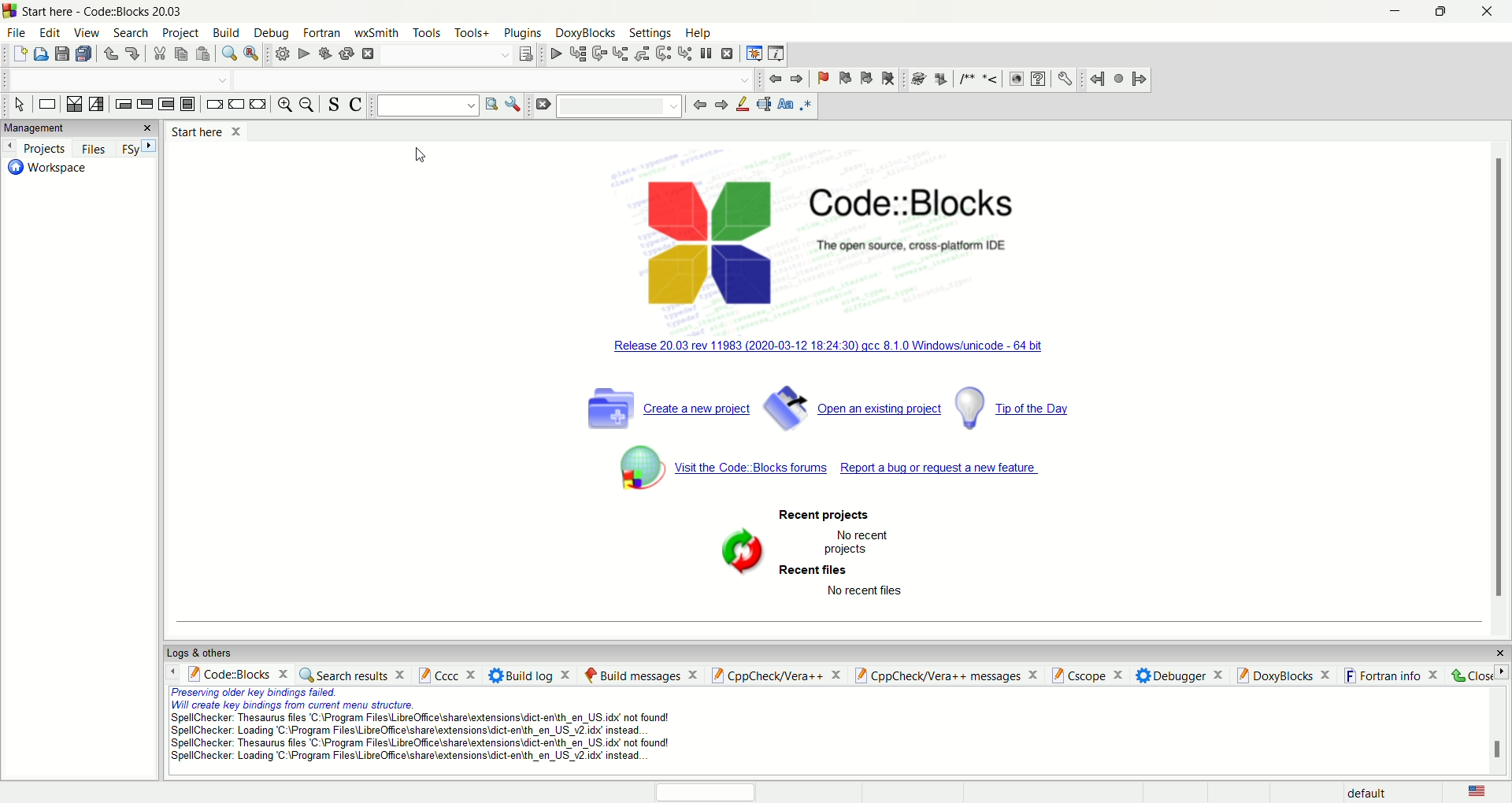 The height and width of the screenshot is (803, 1512). What do you see at coordinates (378, 33) in the screenshot?
I see `wxSmith` at bounding box center [378, 33].